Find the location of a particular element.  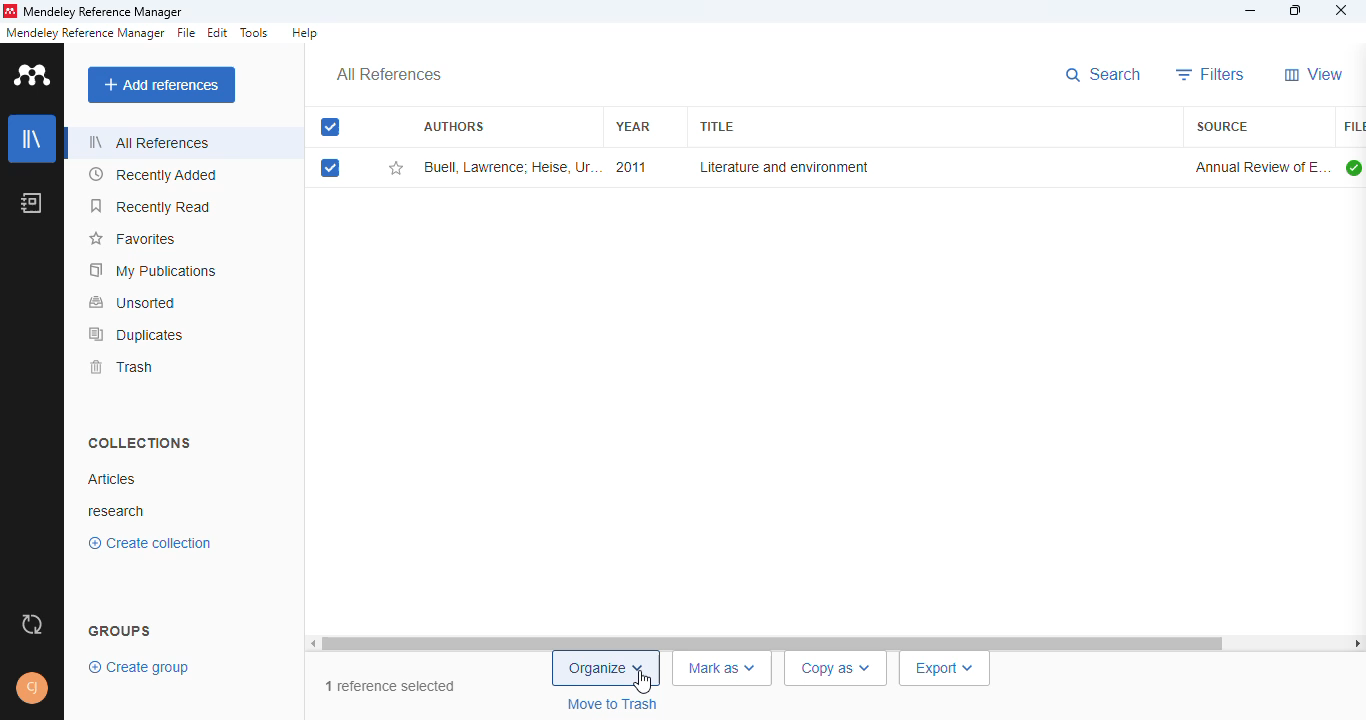

logo is located at coordinates (33, 75).